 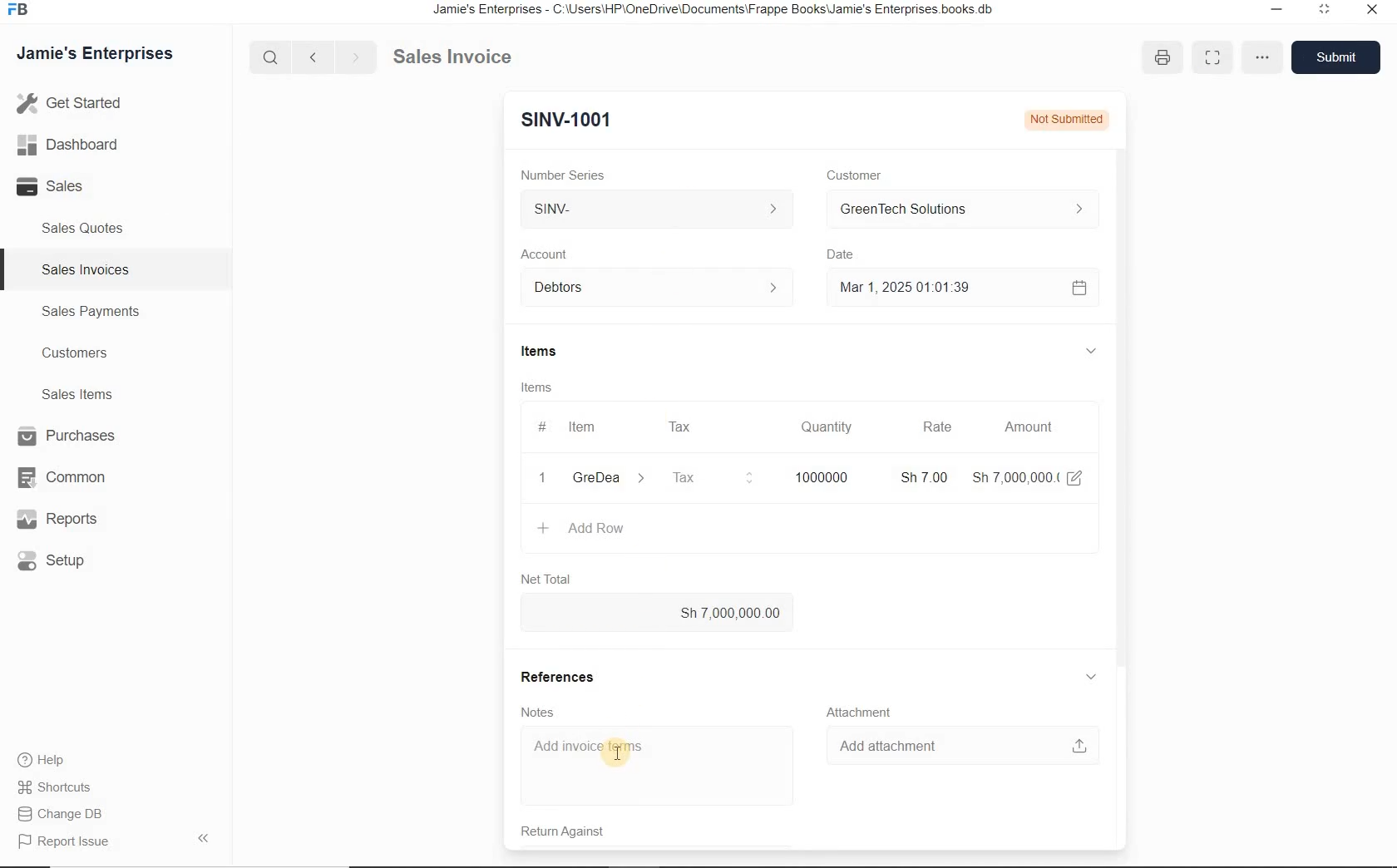 What do you see at coordinates (1013, 477) in the screenshot?
I see `Sh 7,000,000` at bounding box center [1013, 477].